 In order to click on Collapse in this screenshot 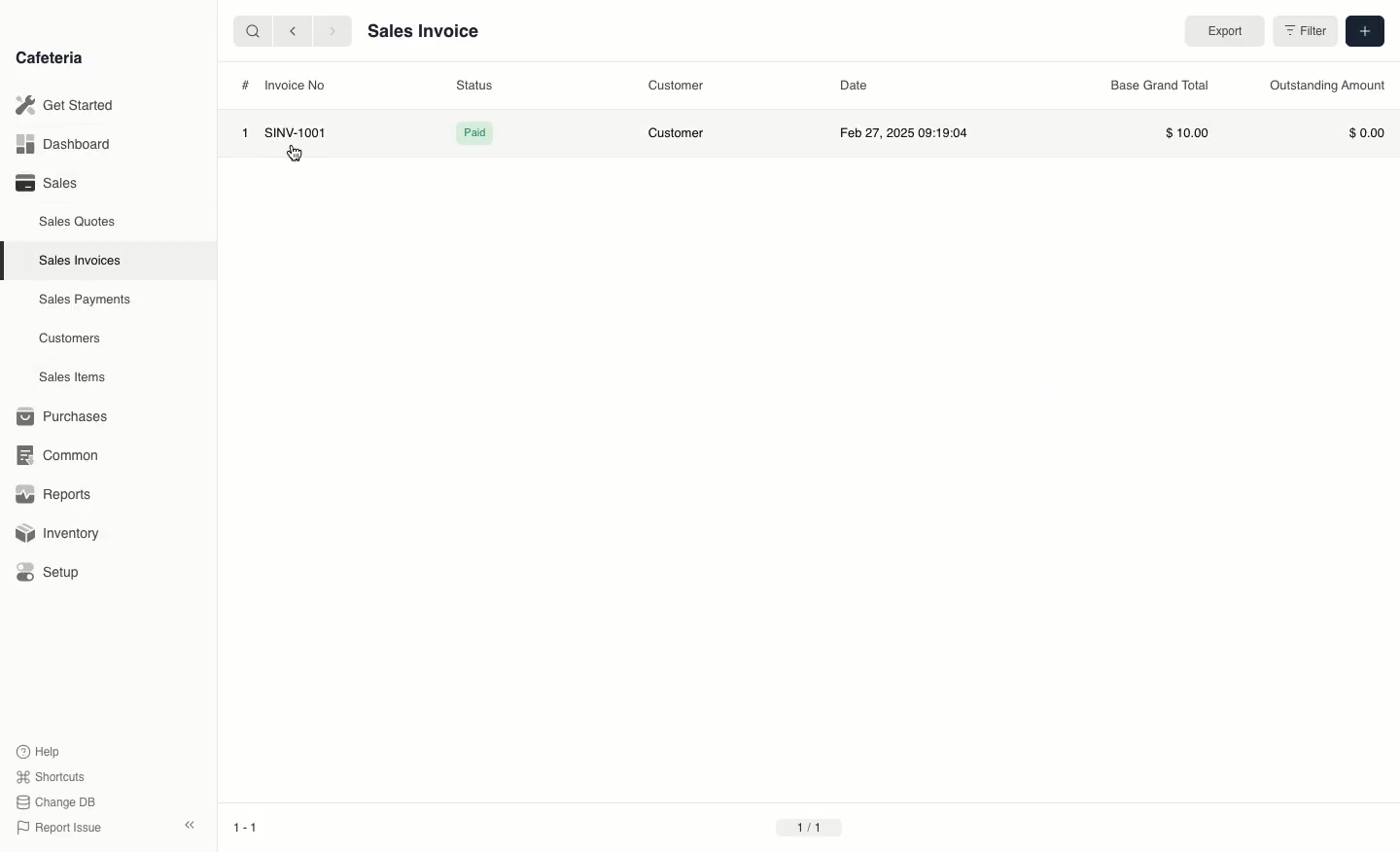, I will do `click(192, 825)`.